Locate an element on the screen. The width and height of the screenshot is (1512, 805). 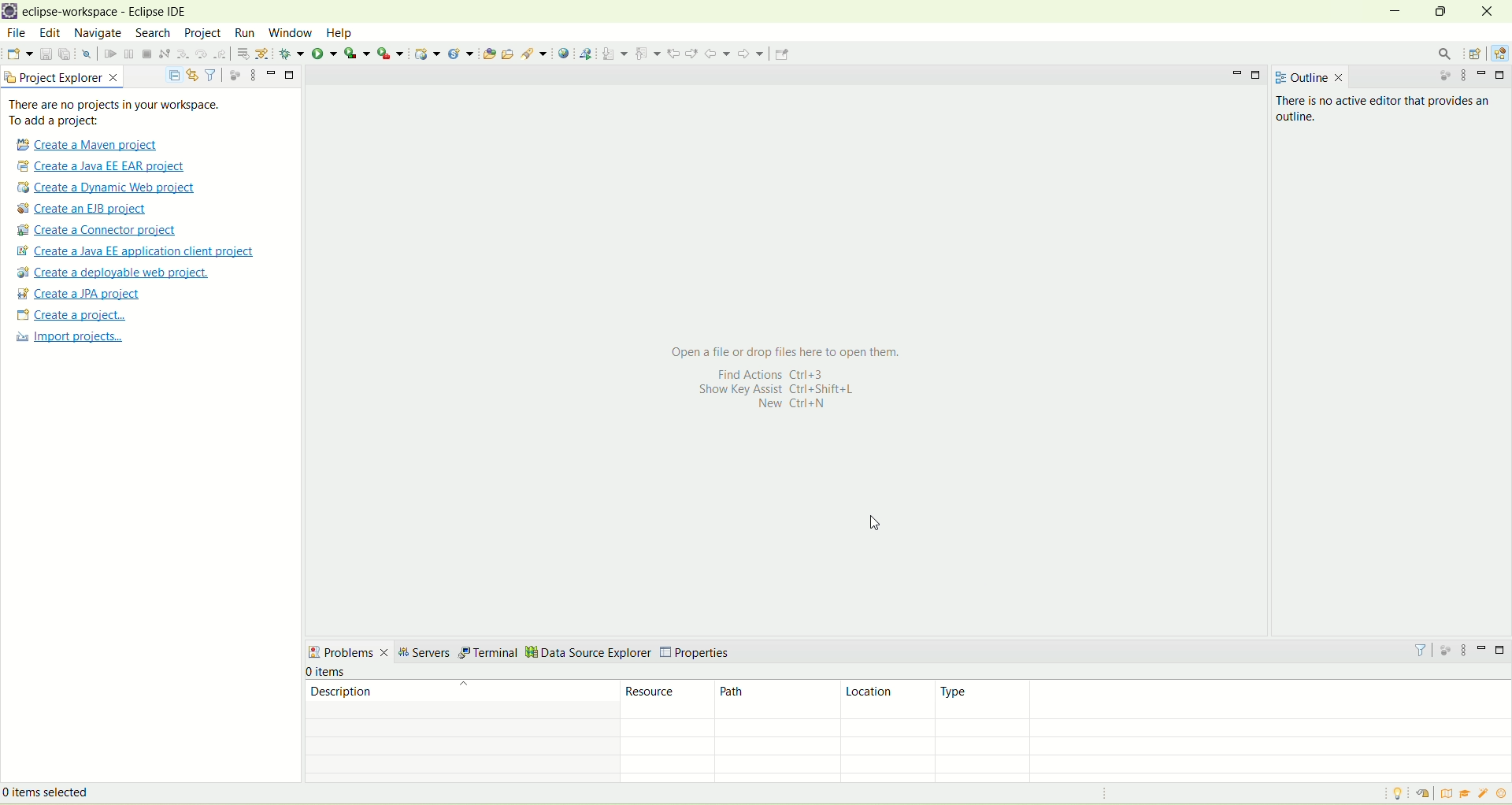
Open a file or drop files here to open them. is located at coordinates (792, 351).